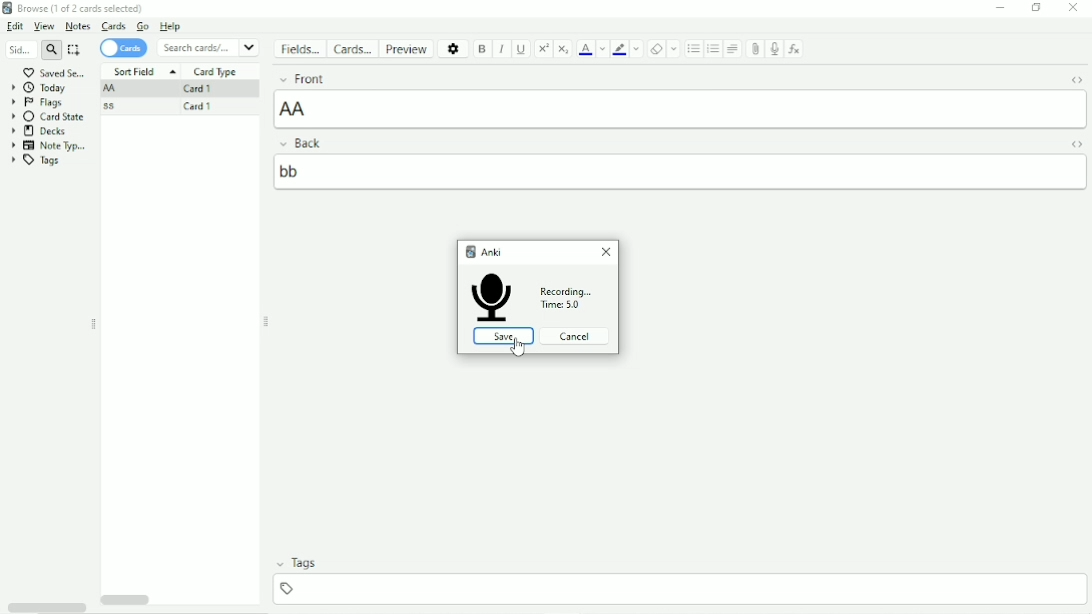 This screenshot has width=1092, height=614. What do you see at coordinates (772, 49) in the screenshot?
I see `Record audio` at bounding box center [772, 49].